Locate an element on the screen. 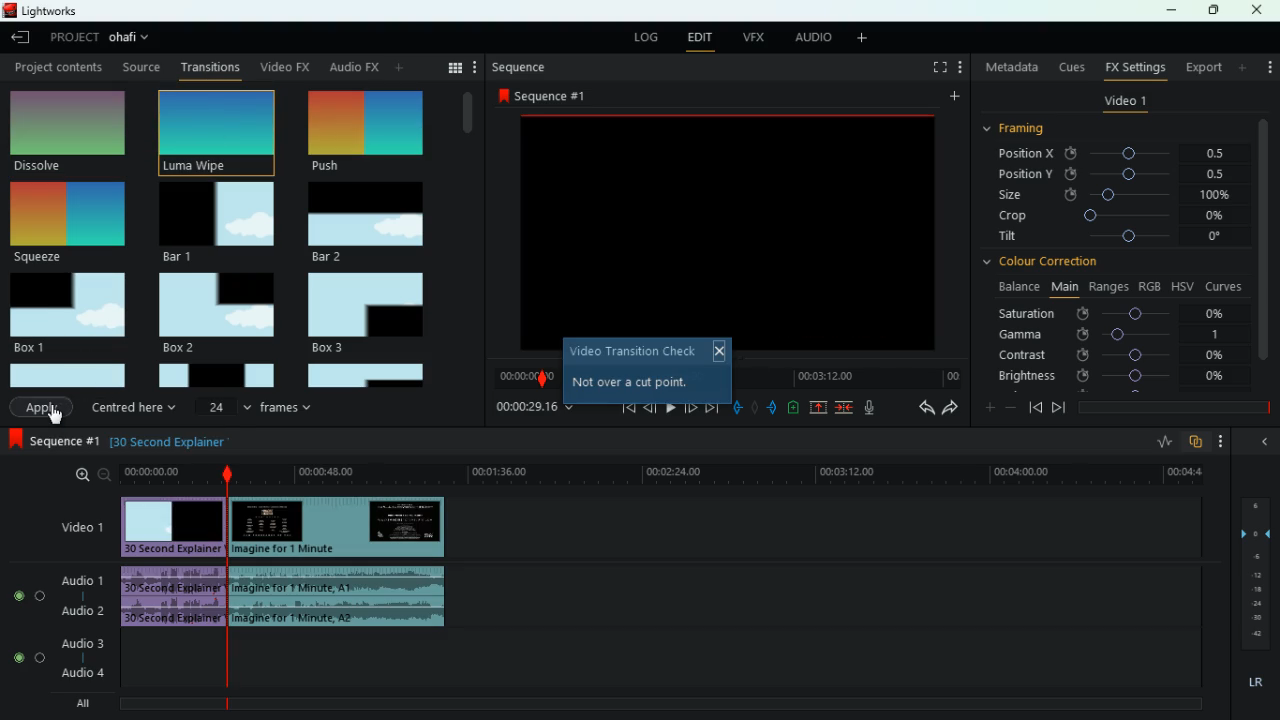 The height and width of the screenshot is (720, 1280). vertical scroll bar is located at coordinates (467, 238).